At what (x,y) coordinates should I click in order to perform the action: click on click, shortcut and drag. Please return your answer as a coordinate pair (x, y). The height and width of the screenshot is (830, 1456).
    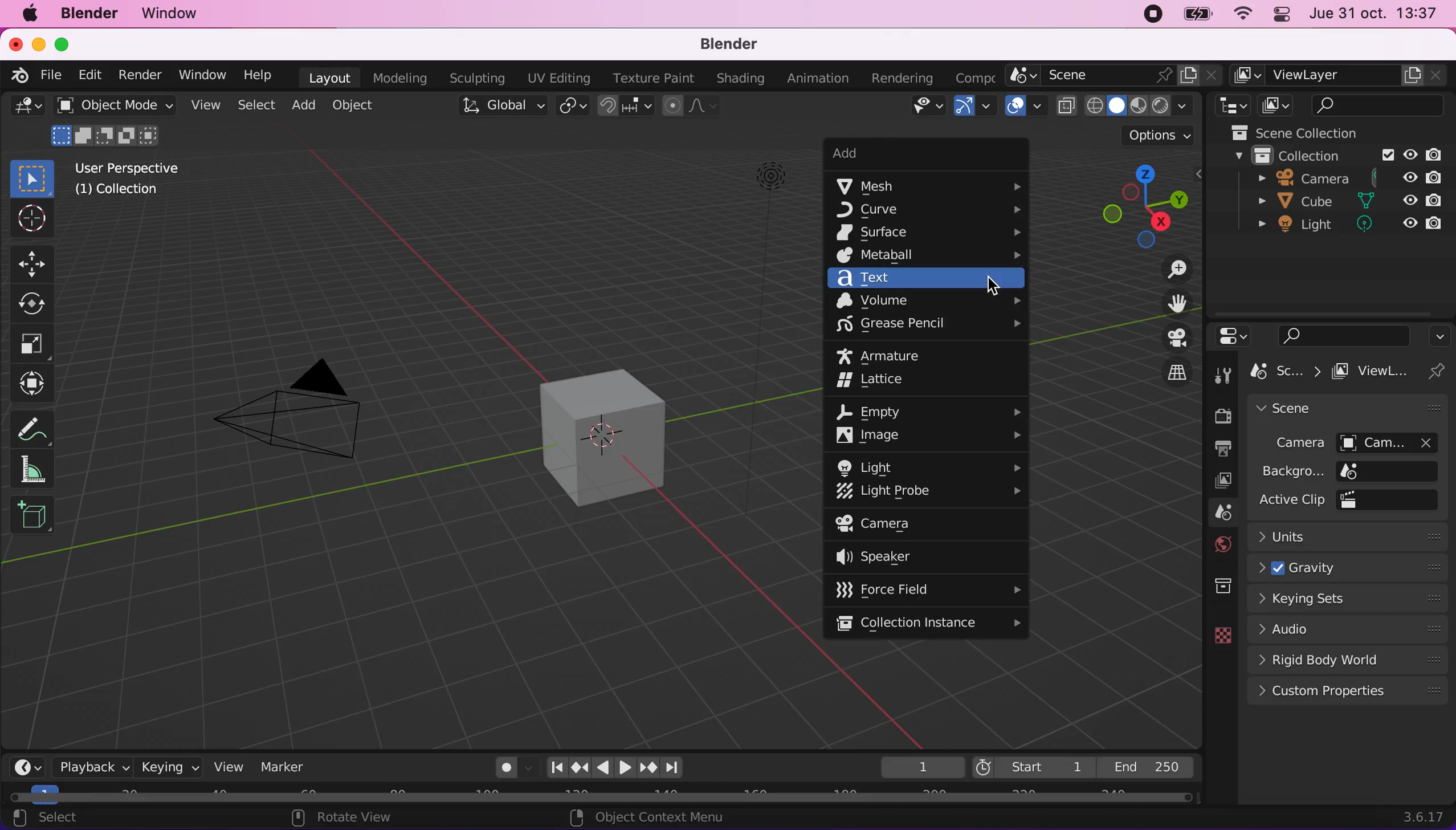
    Looking at the image, I should click on (1132, 206).